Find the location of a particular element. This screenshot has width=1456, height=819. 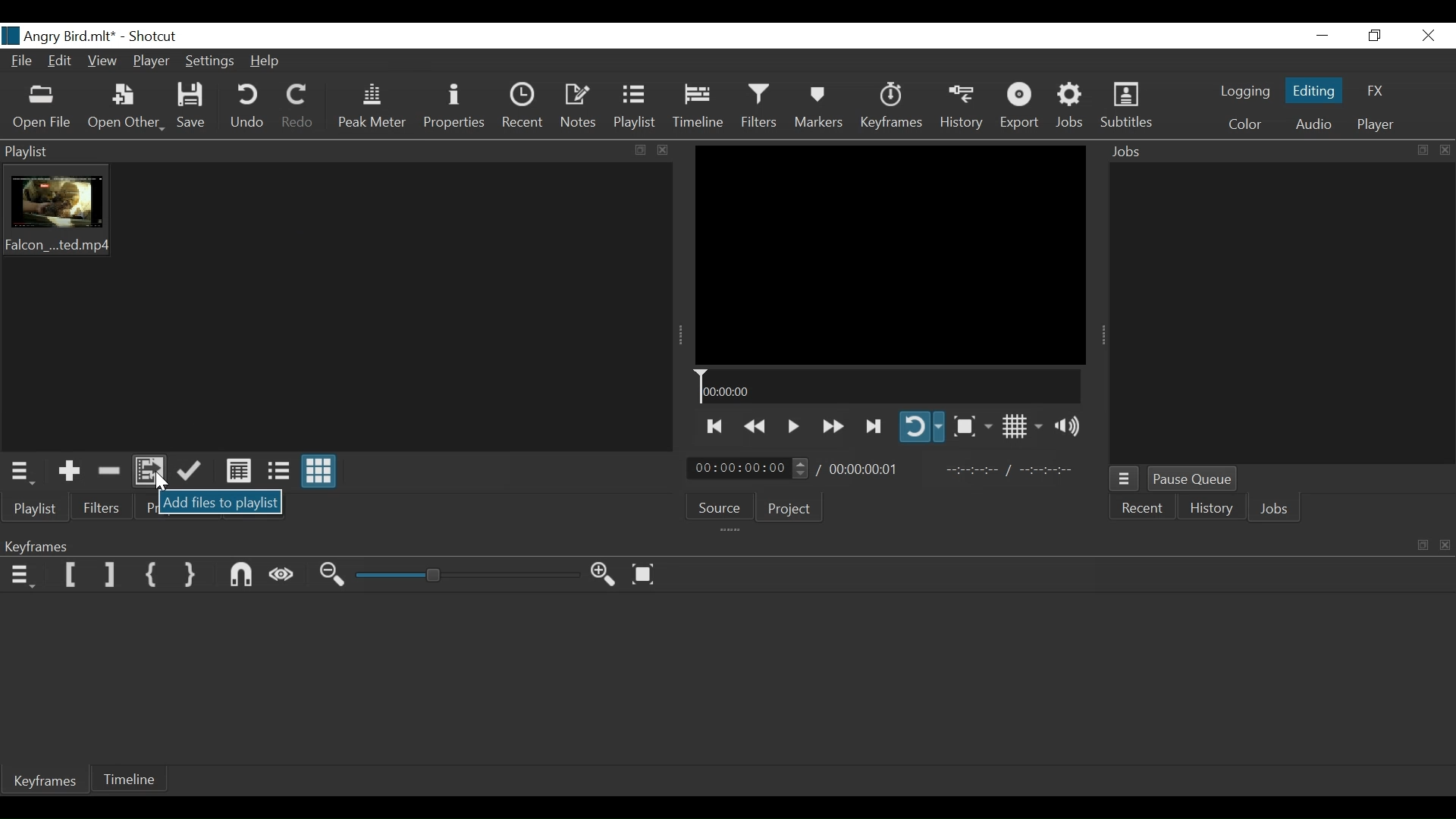

Snap is located at coordinates (240, 576).